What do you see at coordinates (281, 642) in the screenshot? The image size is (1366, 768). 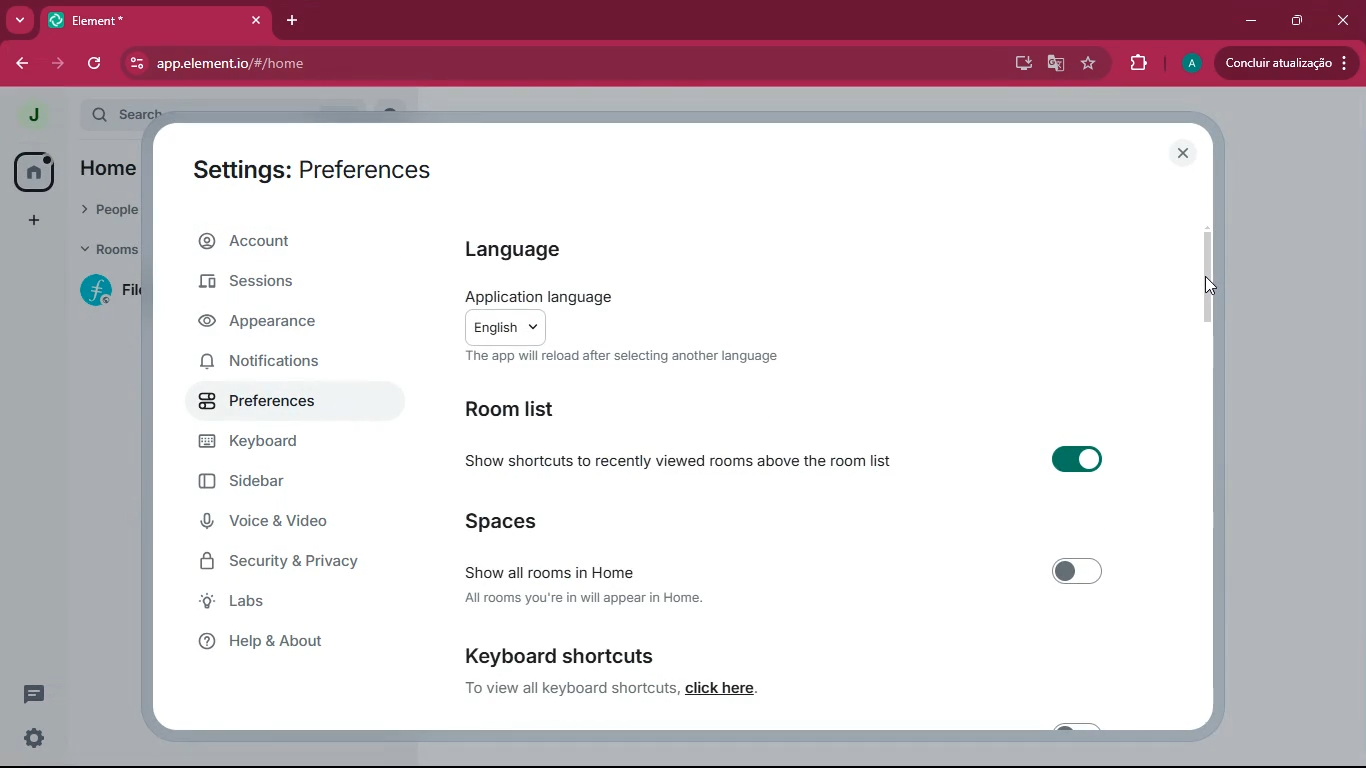 I see `help` at bounding box center [281, 642].